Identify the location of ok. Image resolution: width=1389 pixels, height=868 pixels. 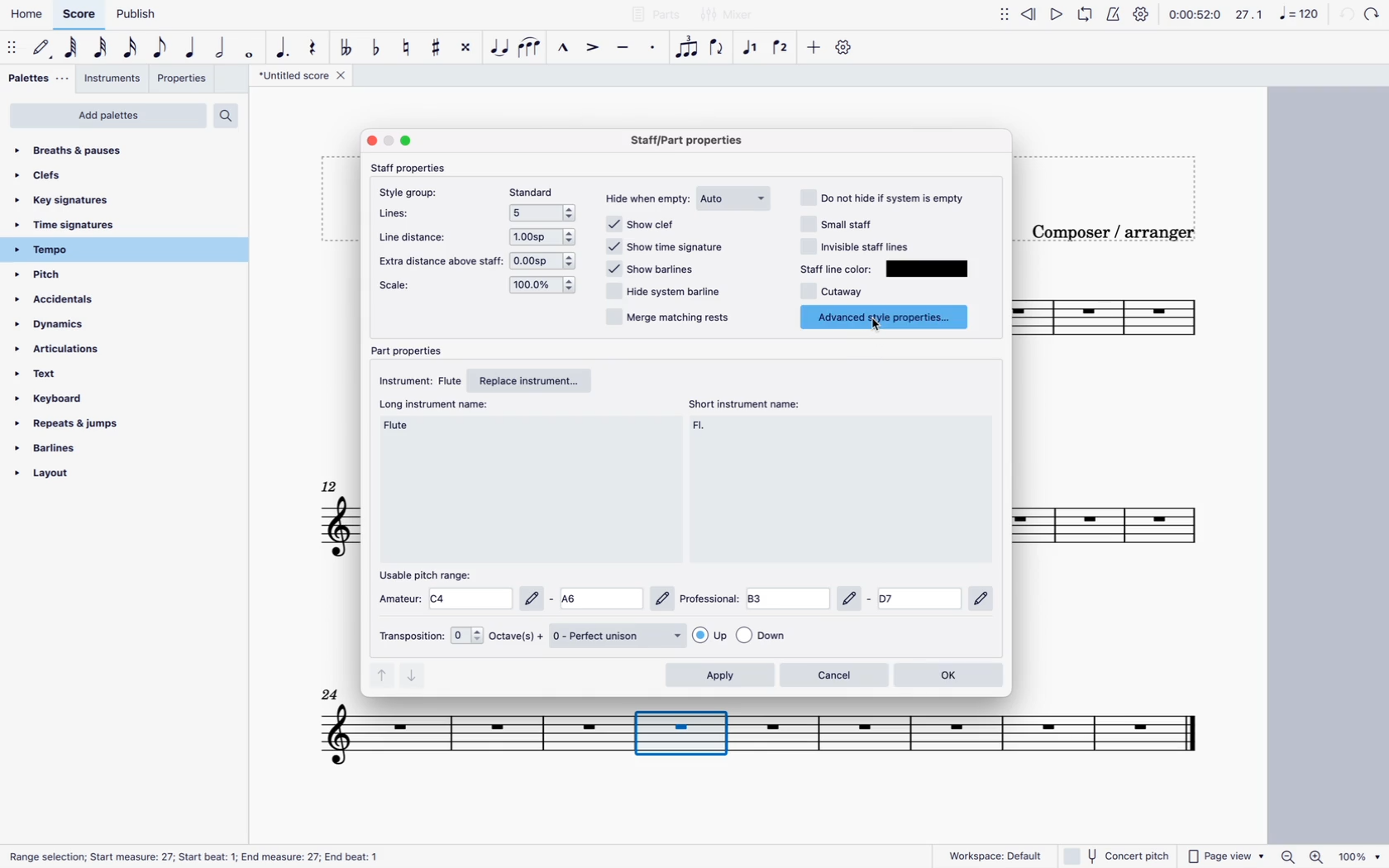
(952, 676).